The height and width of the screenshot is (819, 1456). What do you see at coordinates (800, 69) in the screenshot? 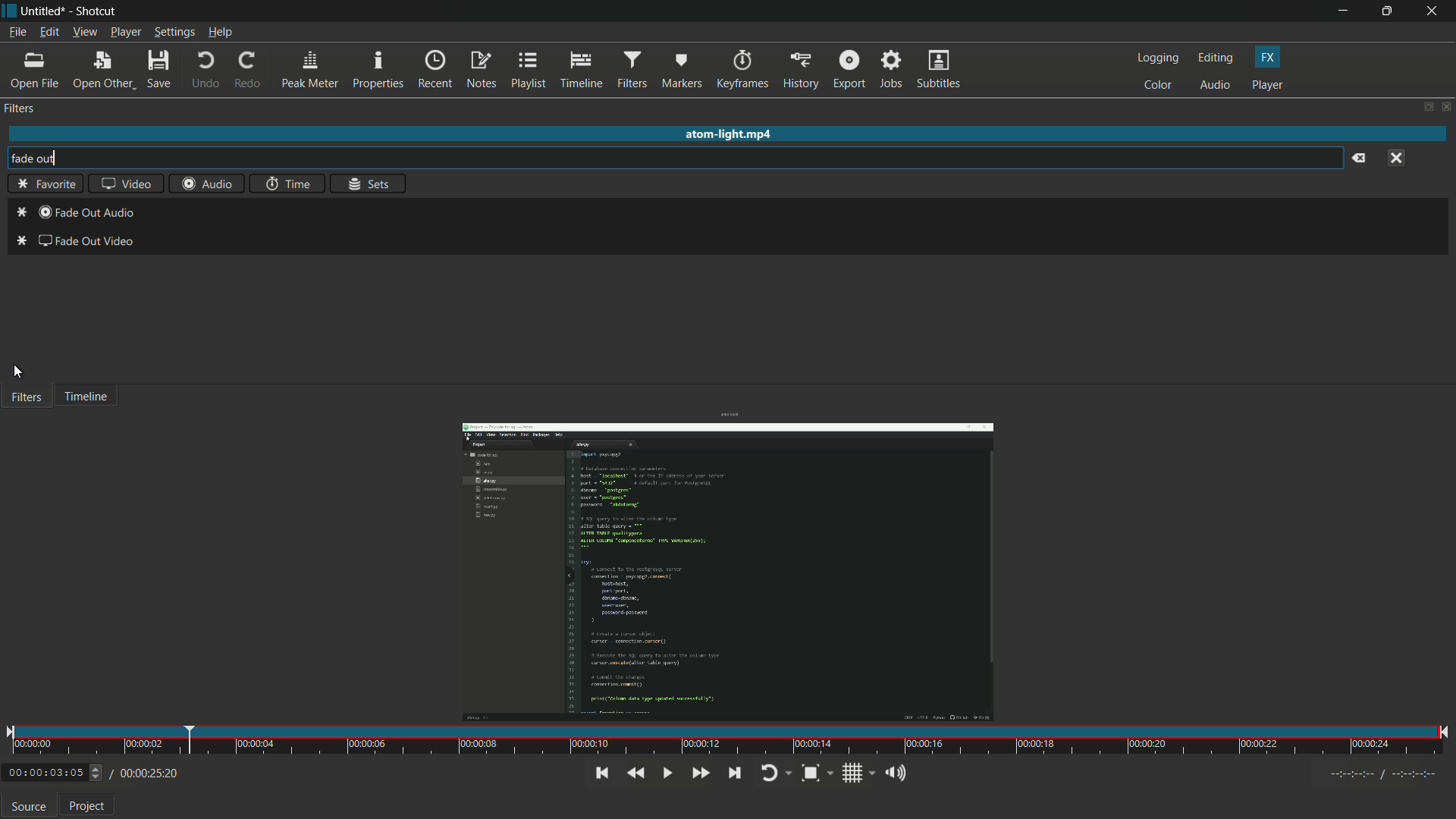
I see `history` at bounding box center [800, 69].